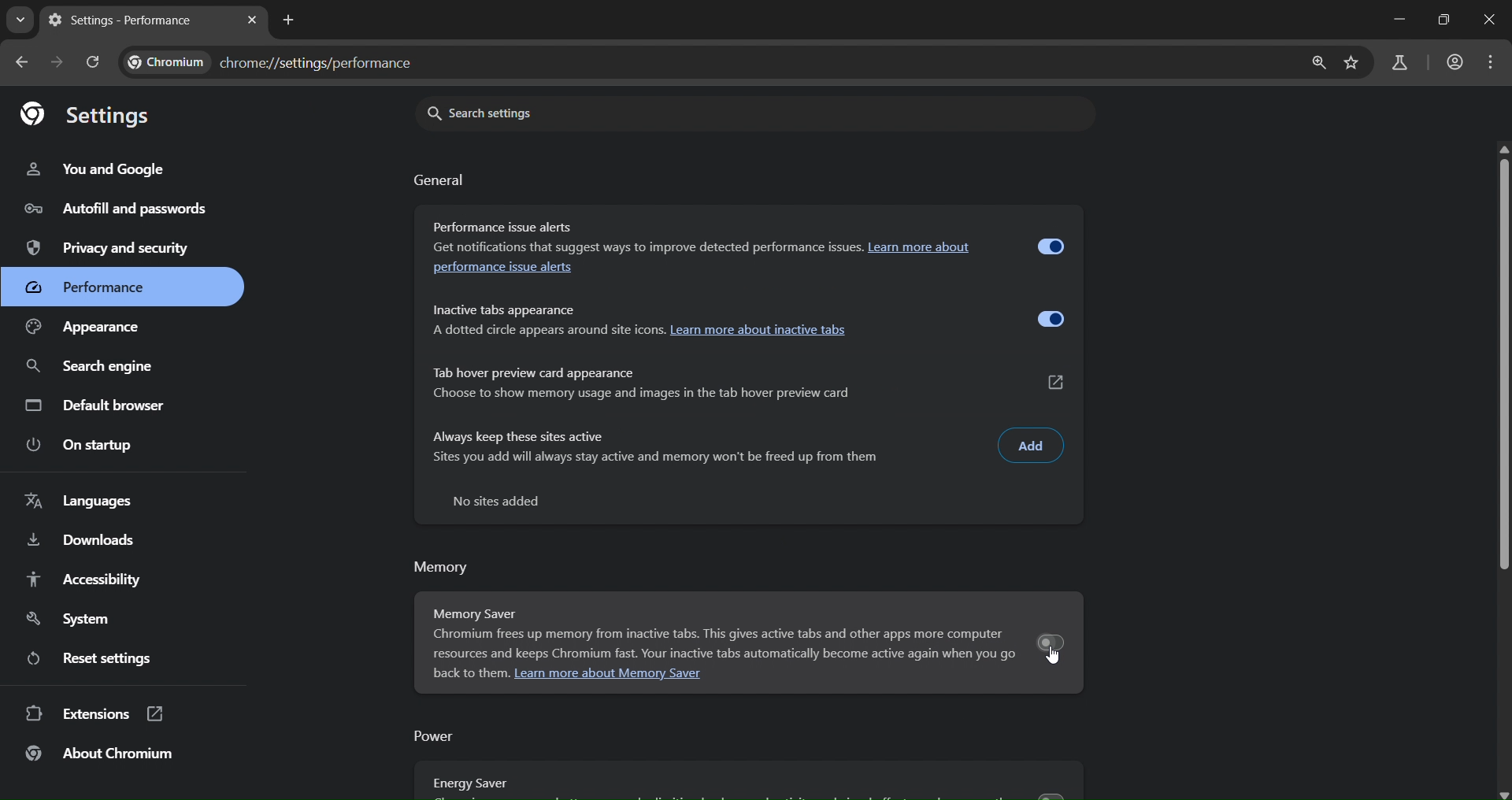 Image resolution: width=1512 pixels, height=800 pixels. What do you see at coordinates (272, 64) in the screenshot?
I see `chrome://settings/performance` at bounding box center [272, 64].